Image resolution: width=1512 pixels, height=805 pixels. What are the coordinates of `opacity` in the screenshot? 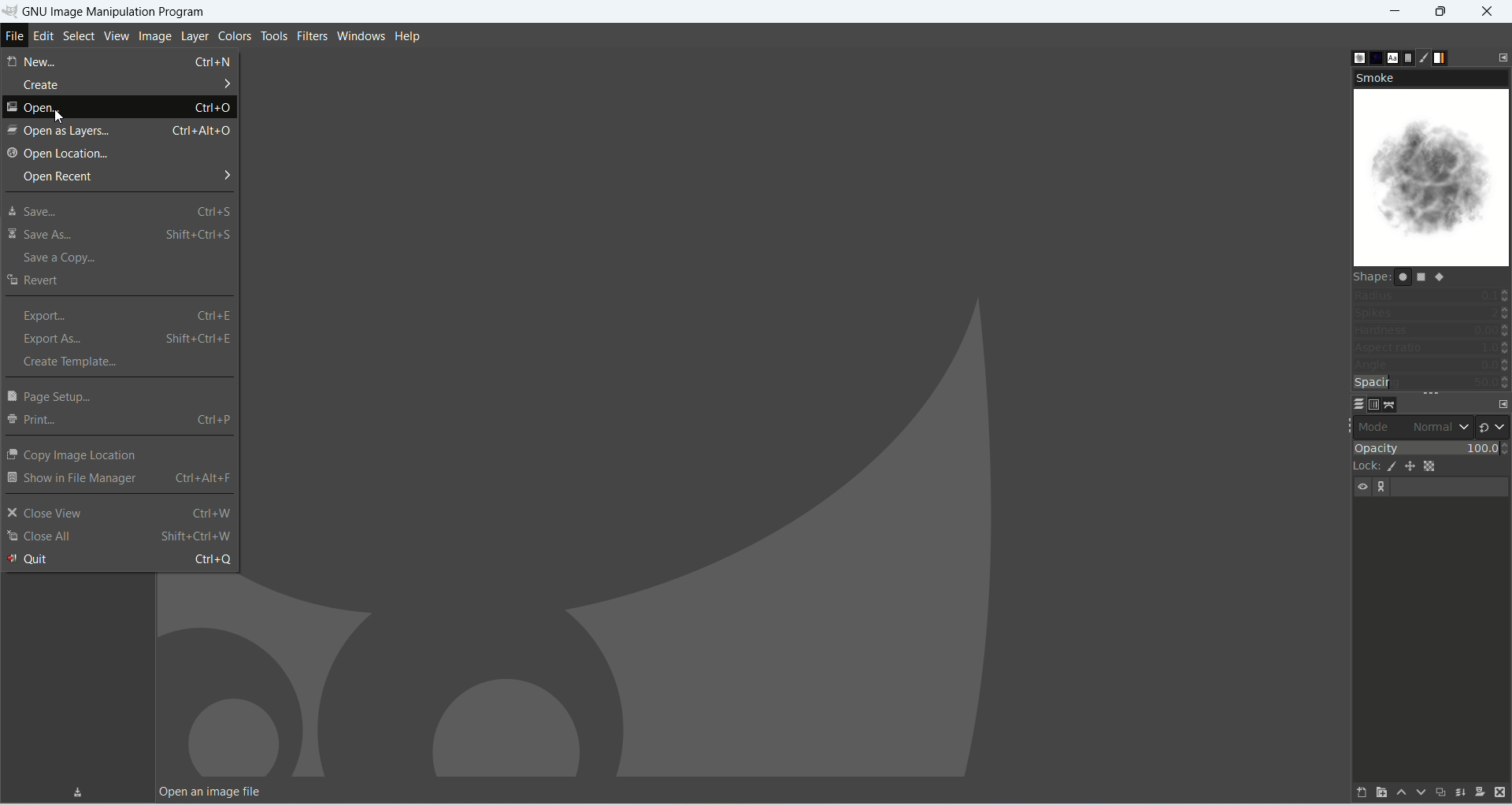 It's located at (1397, 450).